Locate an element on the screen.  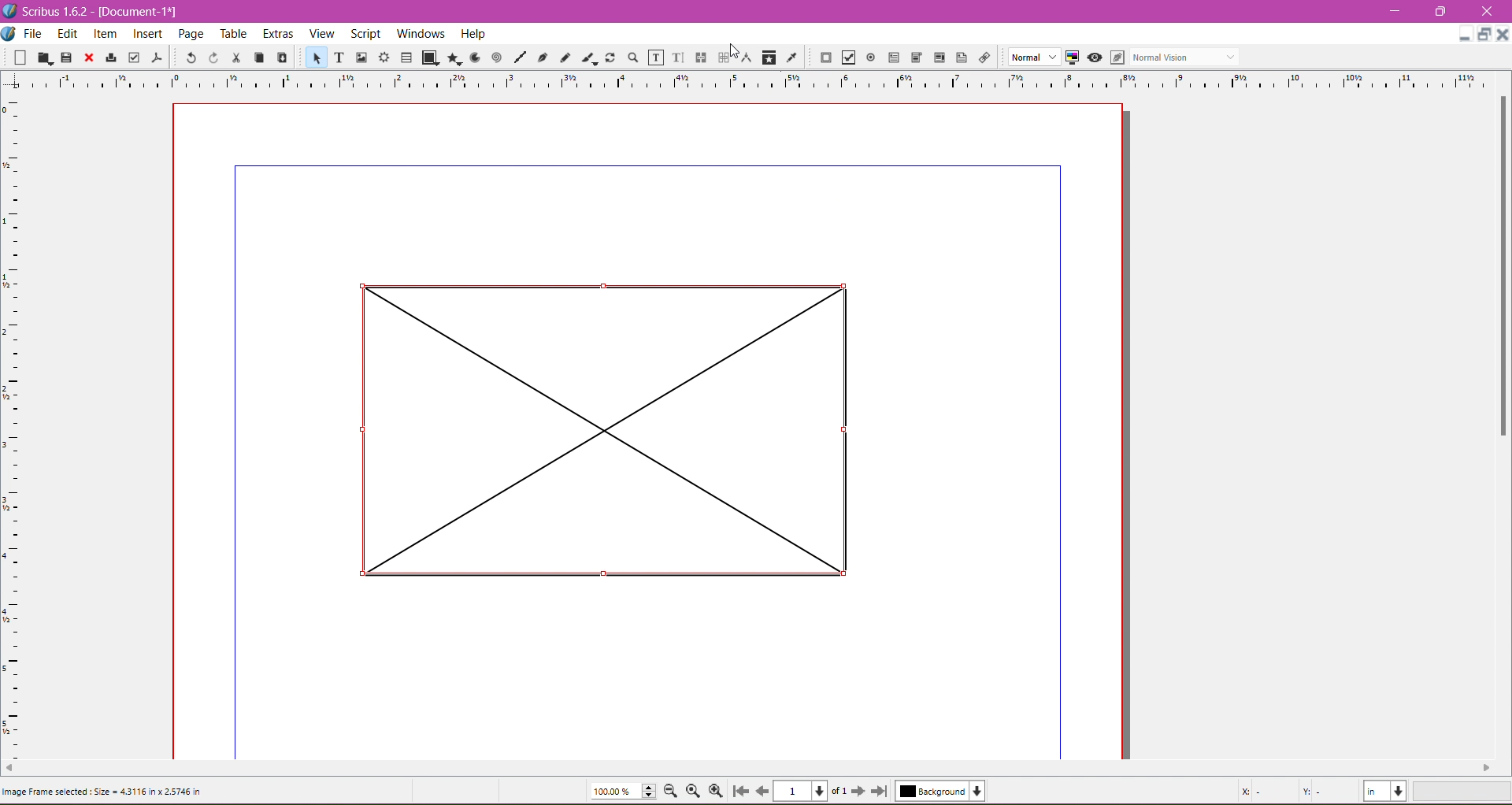
View is located at coordinates (322, 34).